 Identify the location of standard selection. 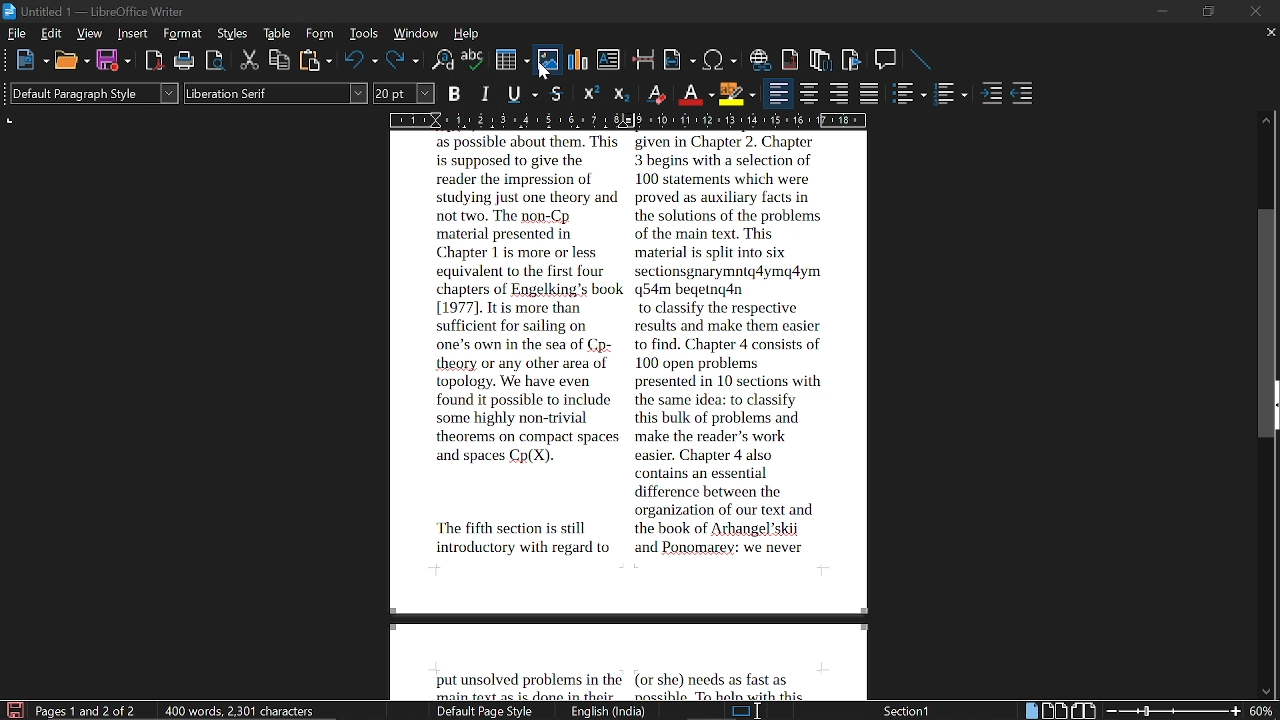
(743, 711).